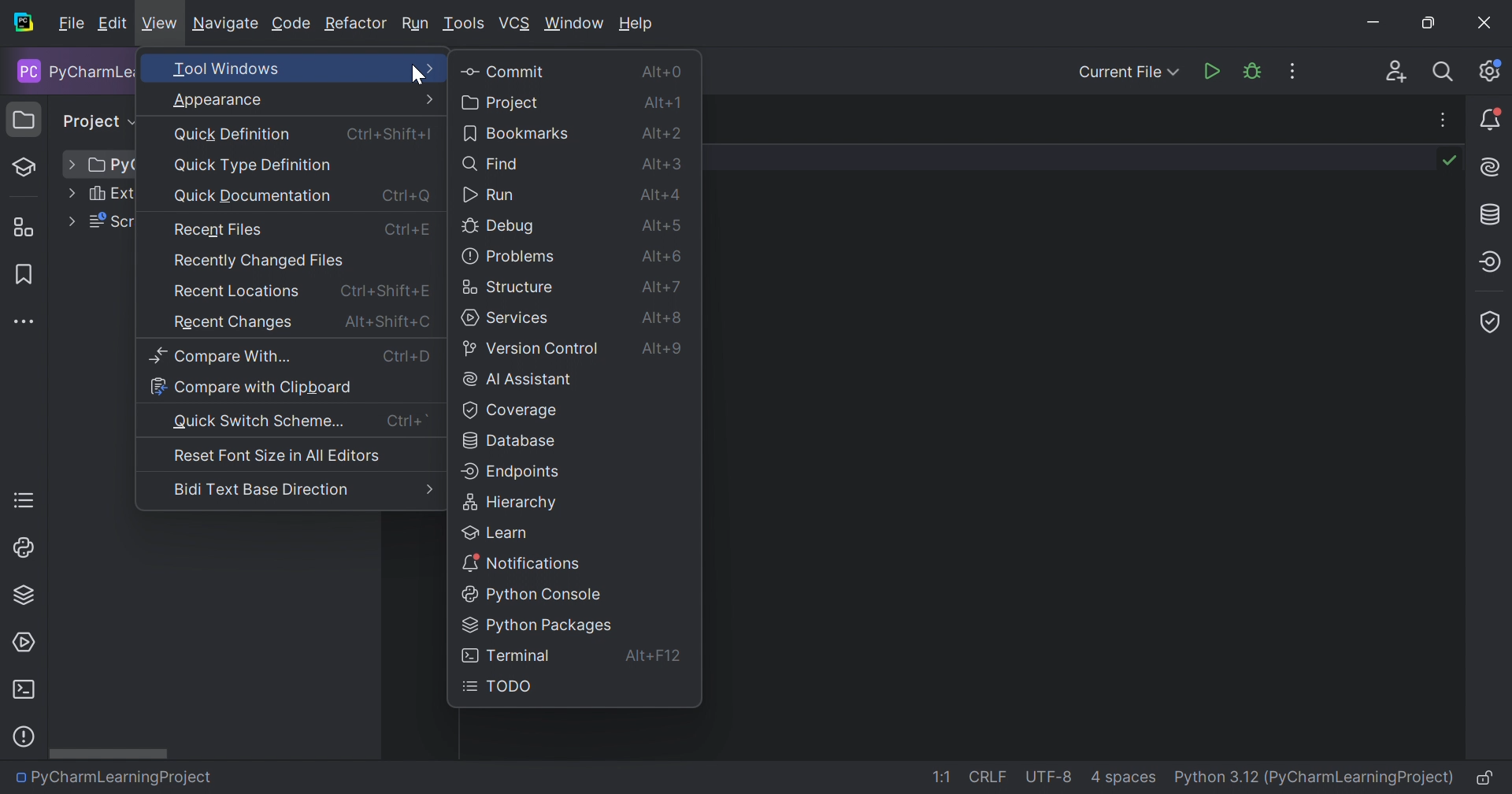  What do you see at coordinates (1491, 118) in the screenshot?
I see `Updates available` at bounding box center [1491, 118].